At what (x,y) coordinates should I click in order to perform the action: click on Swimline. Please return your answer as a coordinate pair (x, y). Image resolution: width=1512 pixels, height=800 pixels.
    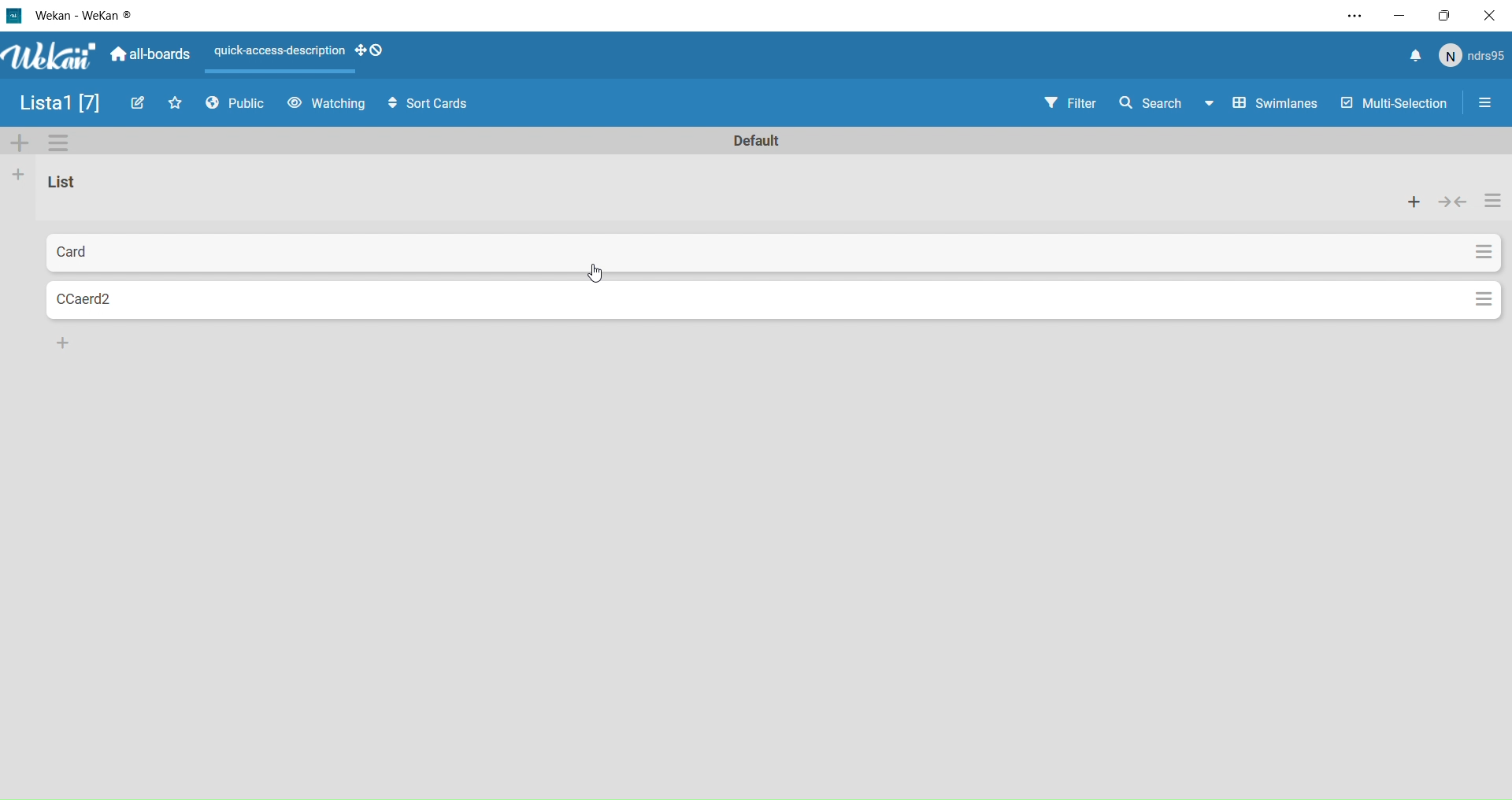
    Looking at the image, I should click on (1260, 105).